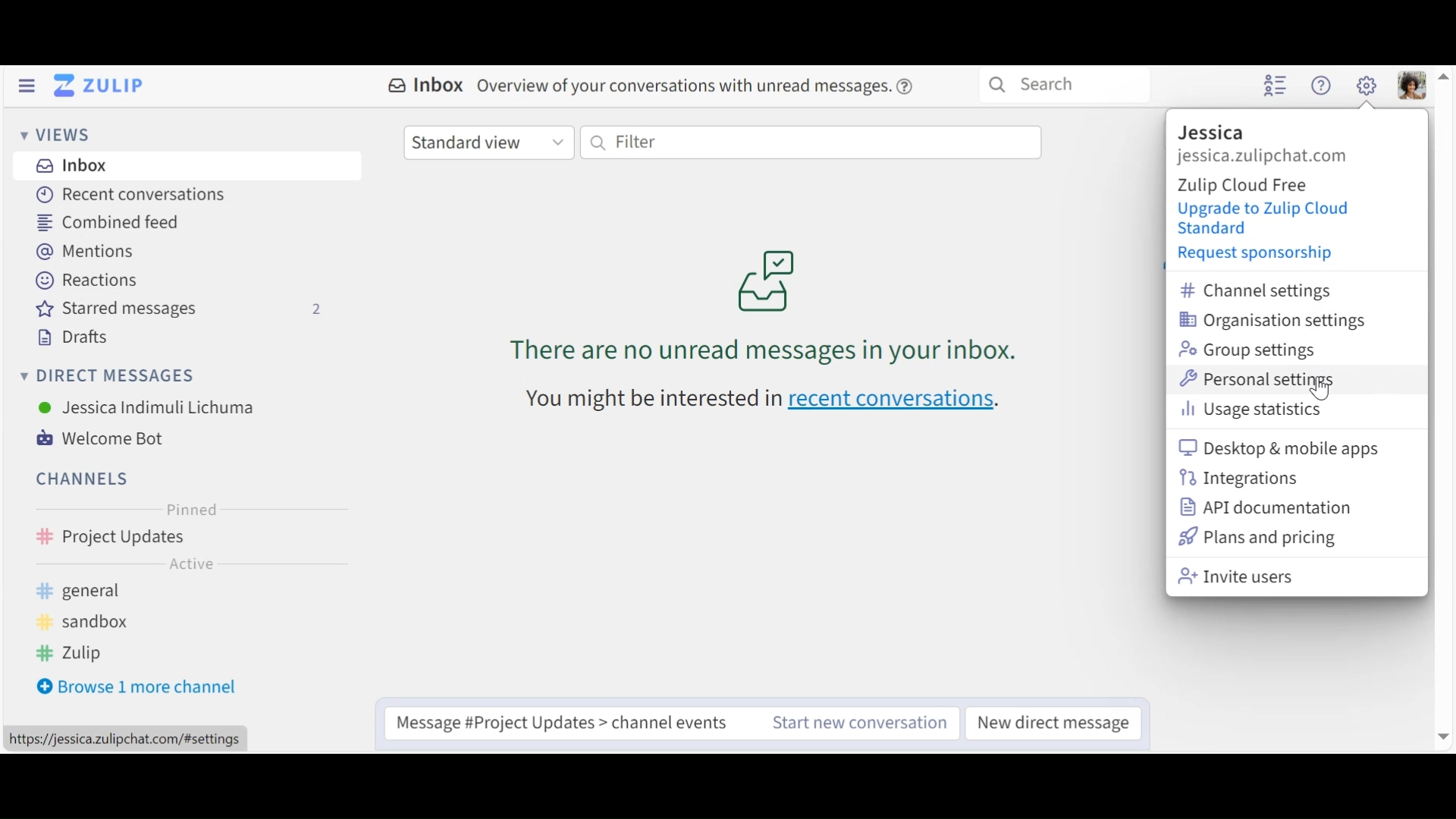  Describe the element at coordinates (862, 720) in the screenshot. I see `Start new conversations` at that location.